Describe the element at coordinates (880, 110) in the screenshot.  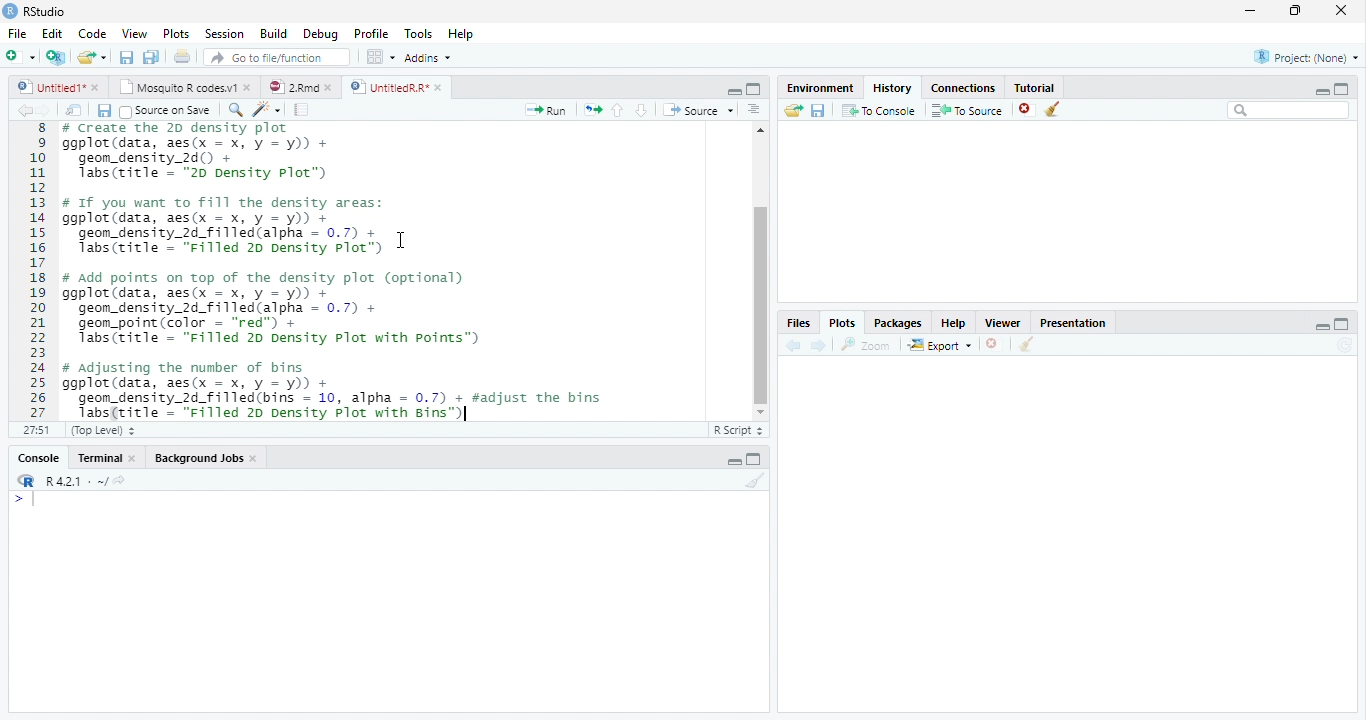
I see `To console` at that location.